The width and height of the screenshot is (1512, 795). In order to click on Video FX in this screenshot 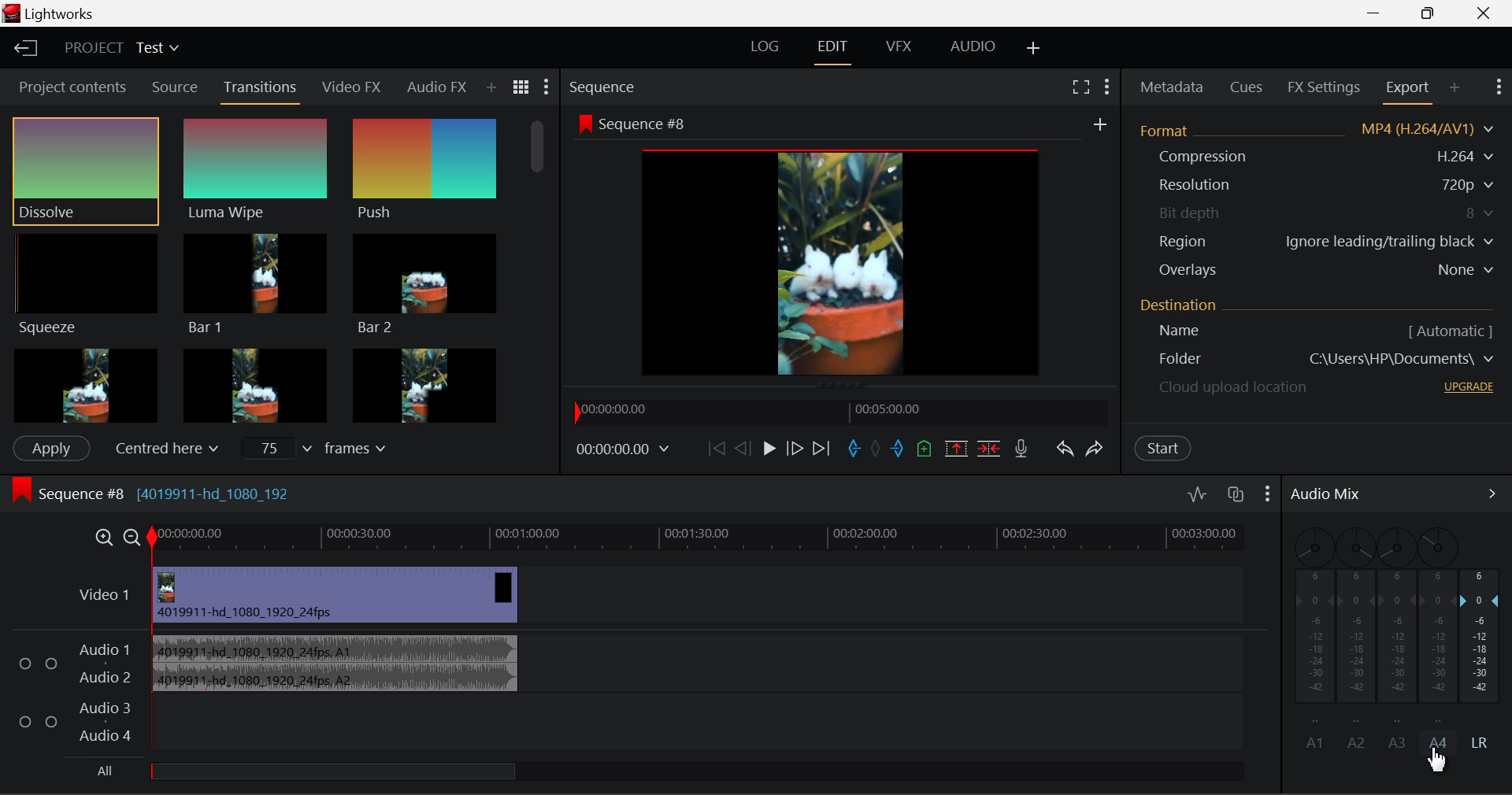, I will do `click(350, 91)`.